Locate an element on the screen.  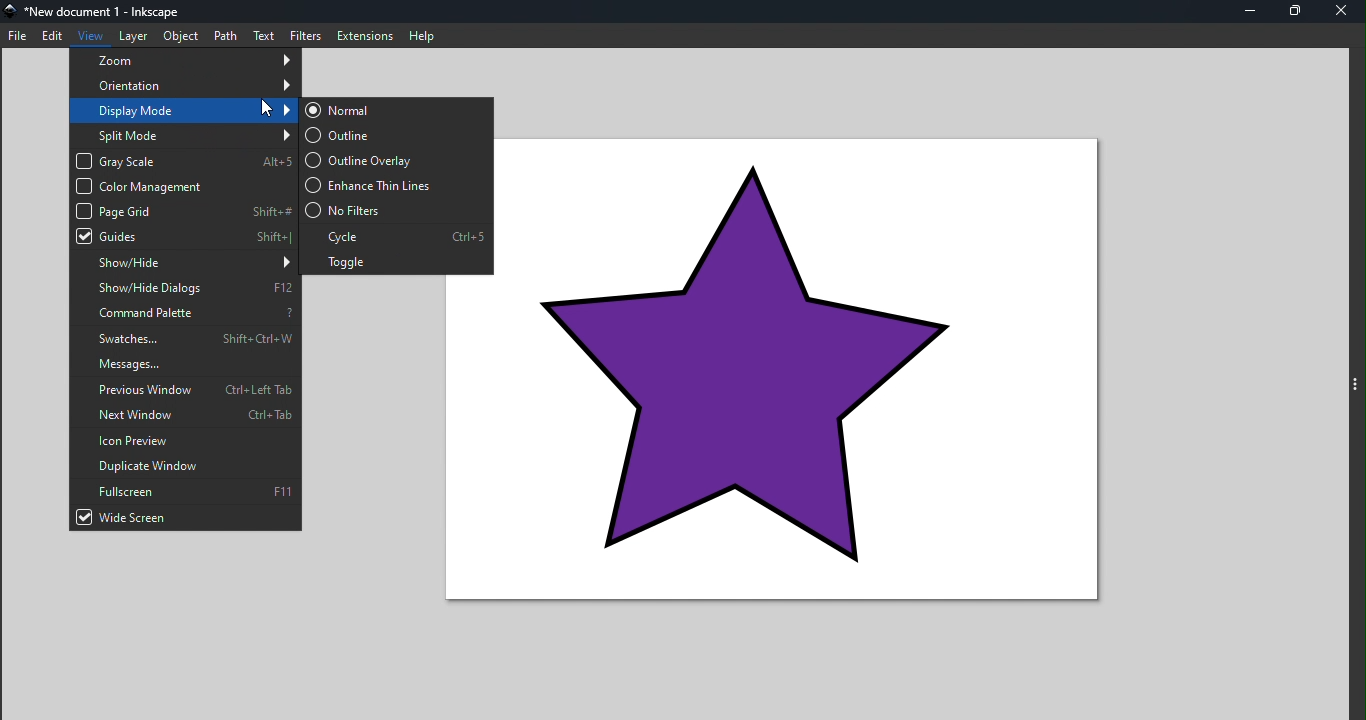
Object is located at coordinates (176, 38).